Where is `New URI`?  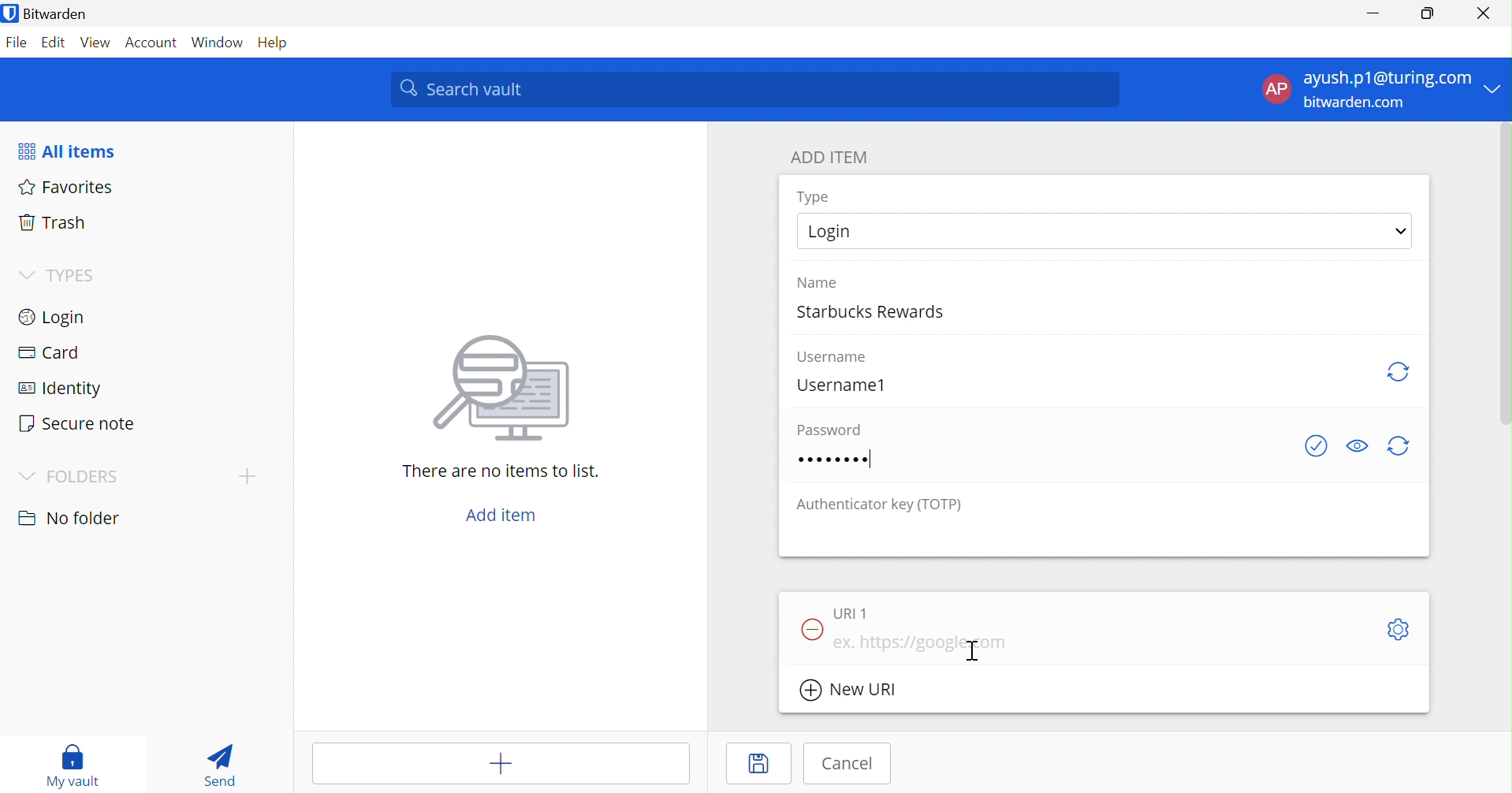
New URI is located at coordinates (849, 692).